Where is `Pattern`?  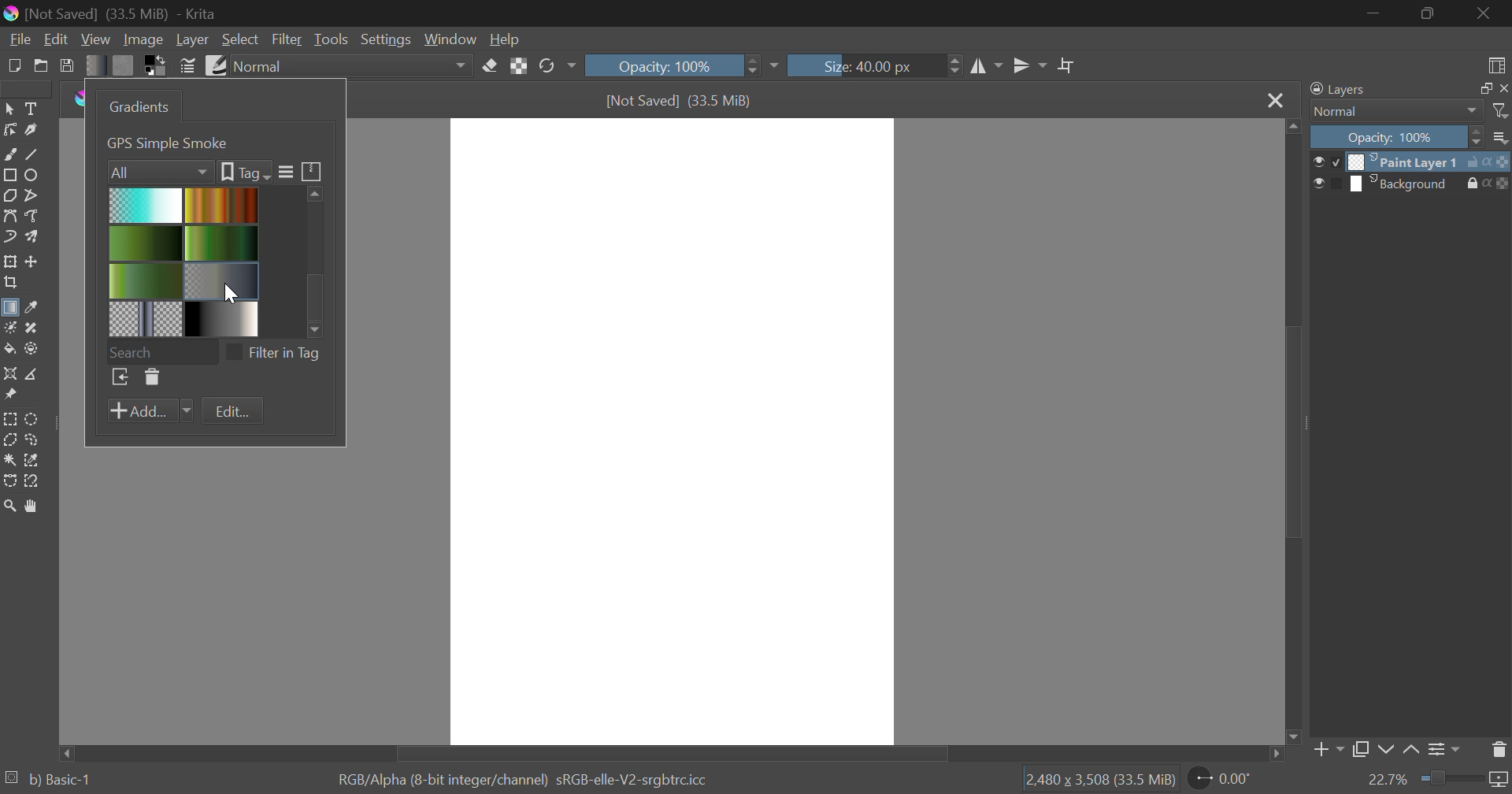 Pattern is located at coordinates (124, 65).